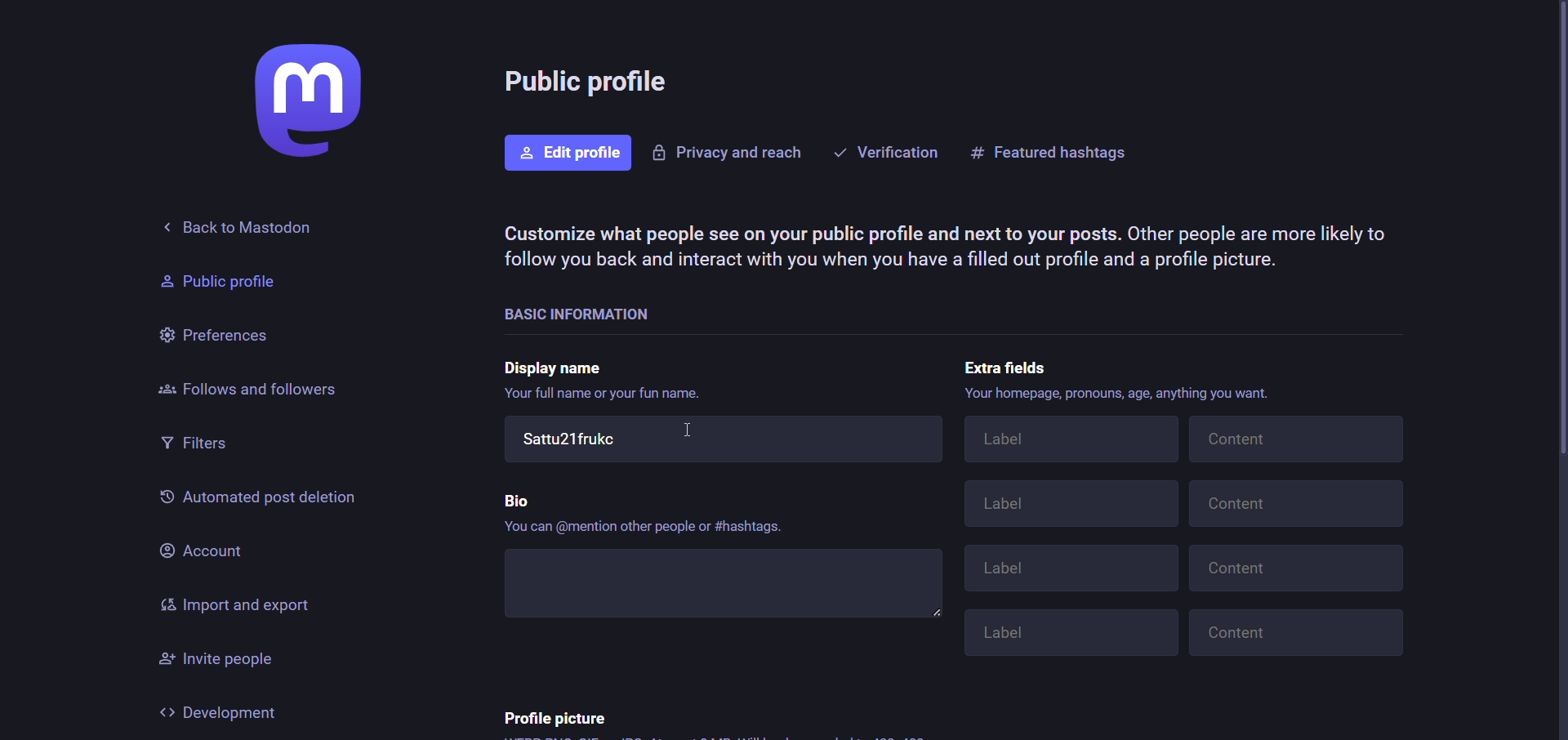 The height and width of the screenshot is (740, 1568). What do you see at coordinates (222, 712) in the screenshot?
I see `development` at bounding box center [222, 712].